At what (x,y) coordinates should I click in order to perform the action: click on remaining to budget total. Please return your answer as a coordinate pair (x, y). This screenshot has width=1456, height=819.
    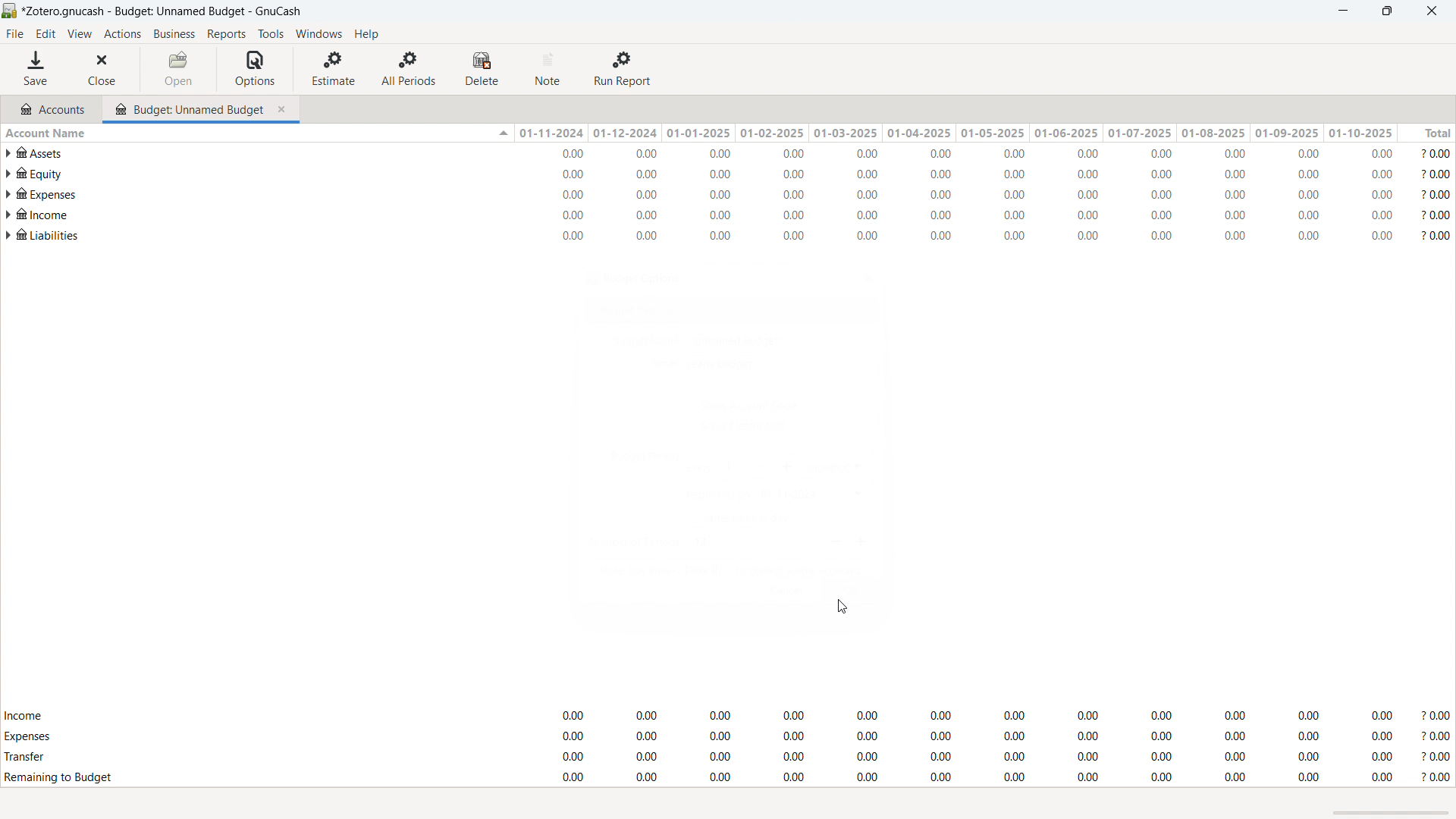
    Looking at the image, I should click on (728, 778).